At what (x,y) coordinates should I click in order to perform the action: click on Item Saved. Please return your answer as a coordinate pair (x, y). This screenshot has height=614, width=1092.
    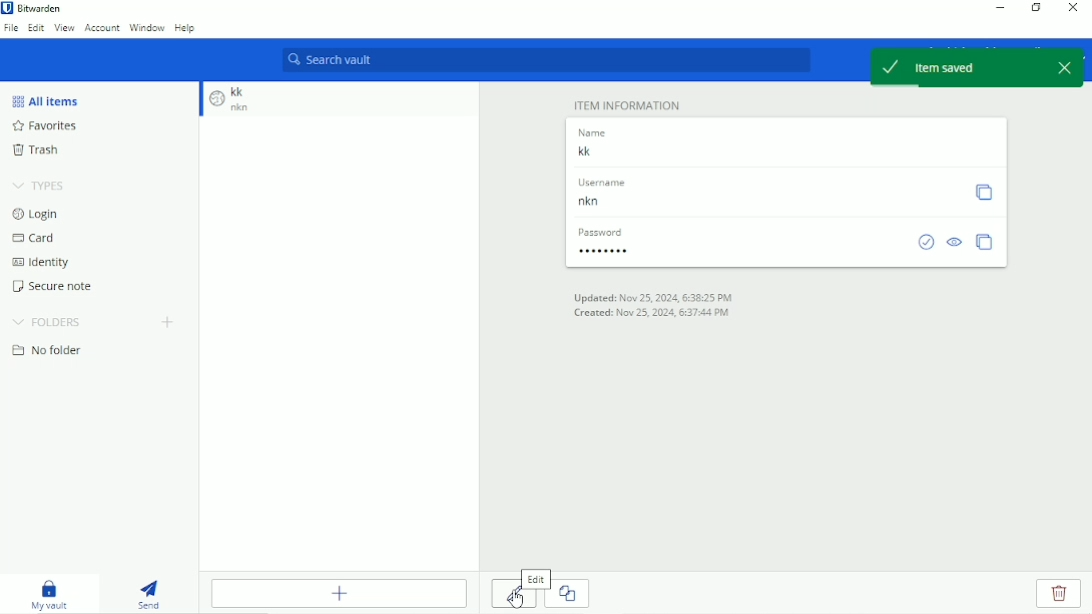
    Looking at the image, I should click on (957, 68).